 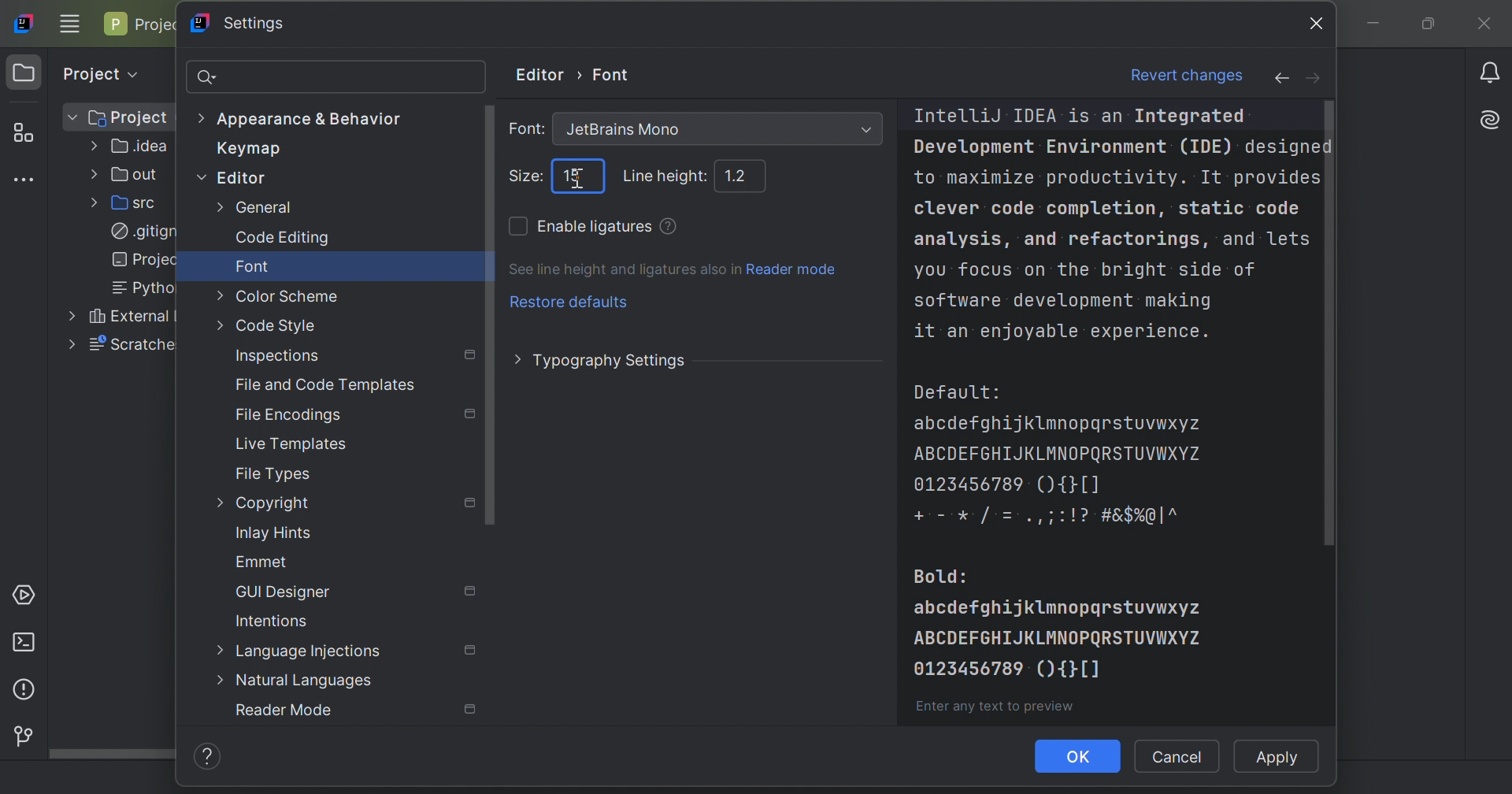 What do you see at coordinates (1049, 517) in the screenshot?
I see `+ - * / = . , ; : ! ? # & $ % @ | ^` at bounding box center [1049, 517].